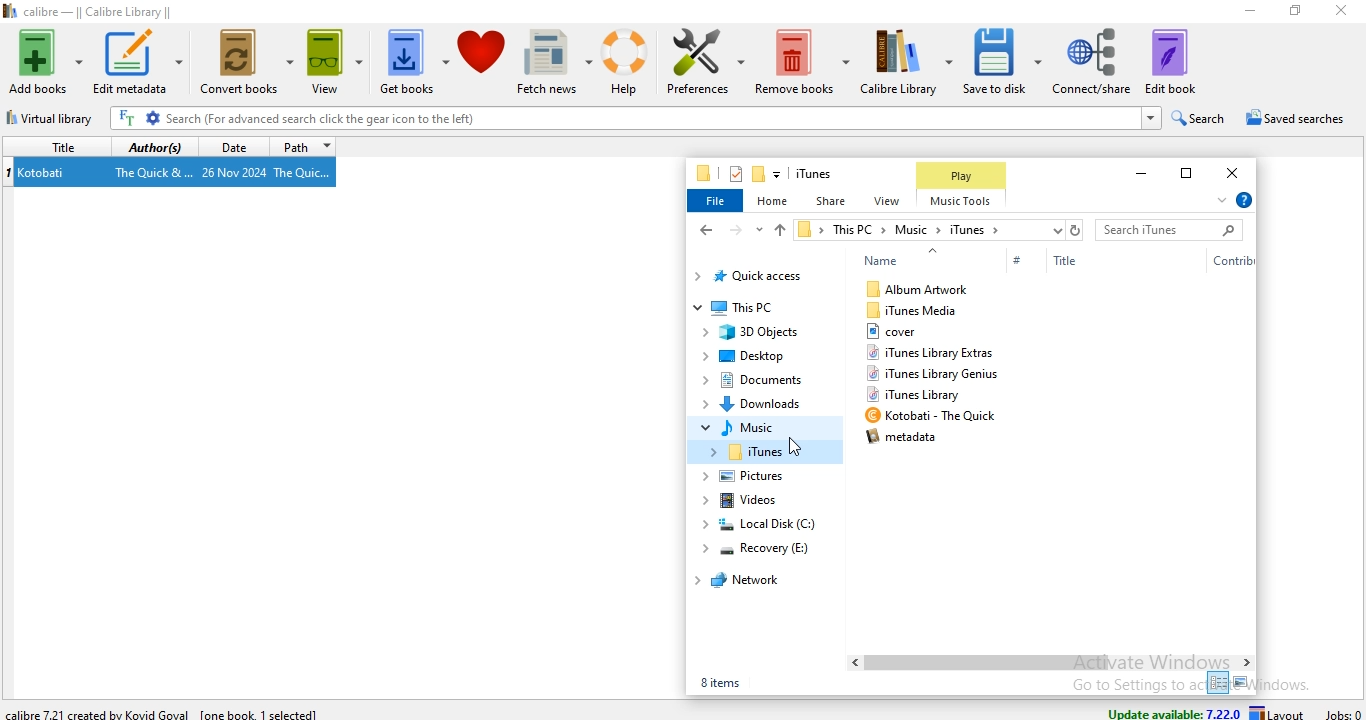 This screenshot has width=1366, height=720. Describe the element at coordinates (802, 60) in the screenshot. I see `remove books` at that location.